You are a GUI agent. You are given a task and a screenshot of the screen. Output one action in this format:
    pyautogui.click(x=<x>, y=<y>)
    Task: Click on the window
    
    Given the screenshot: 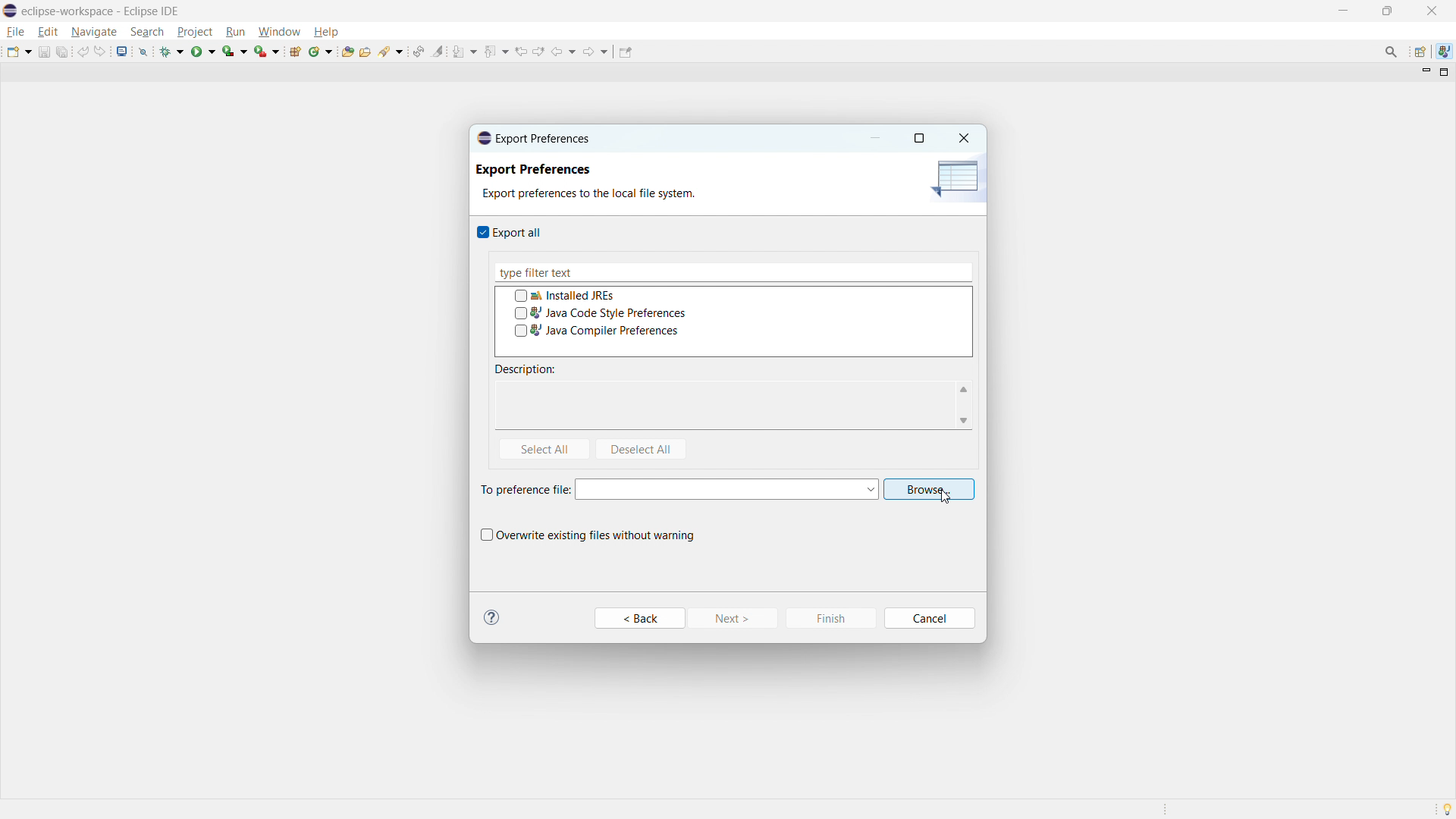 What is the action you would take?
    pyautogui.click(x=279, y=32)
    